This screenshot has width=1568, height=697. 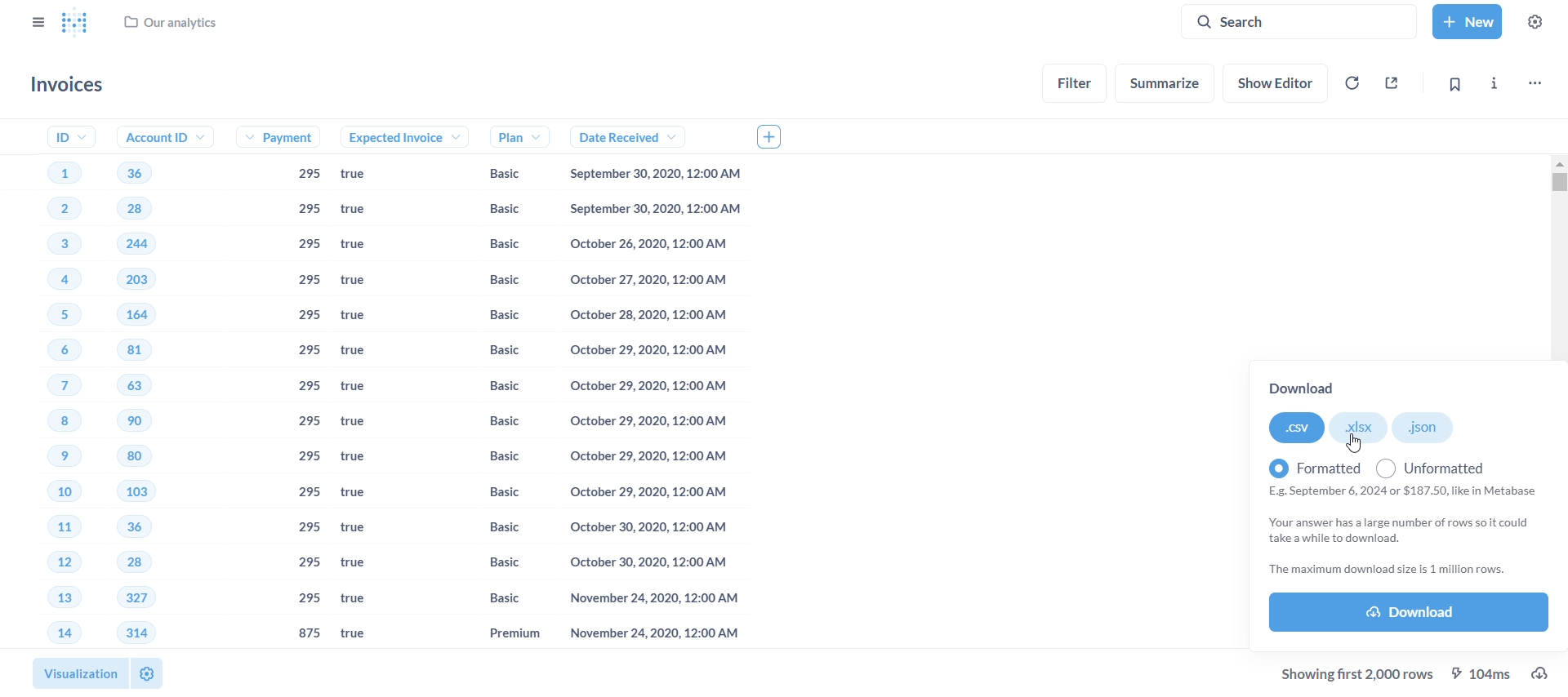 I want to click on new, so click(x=1466, y=20).